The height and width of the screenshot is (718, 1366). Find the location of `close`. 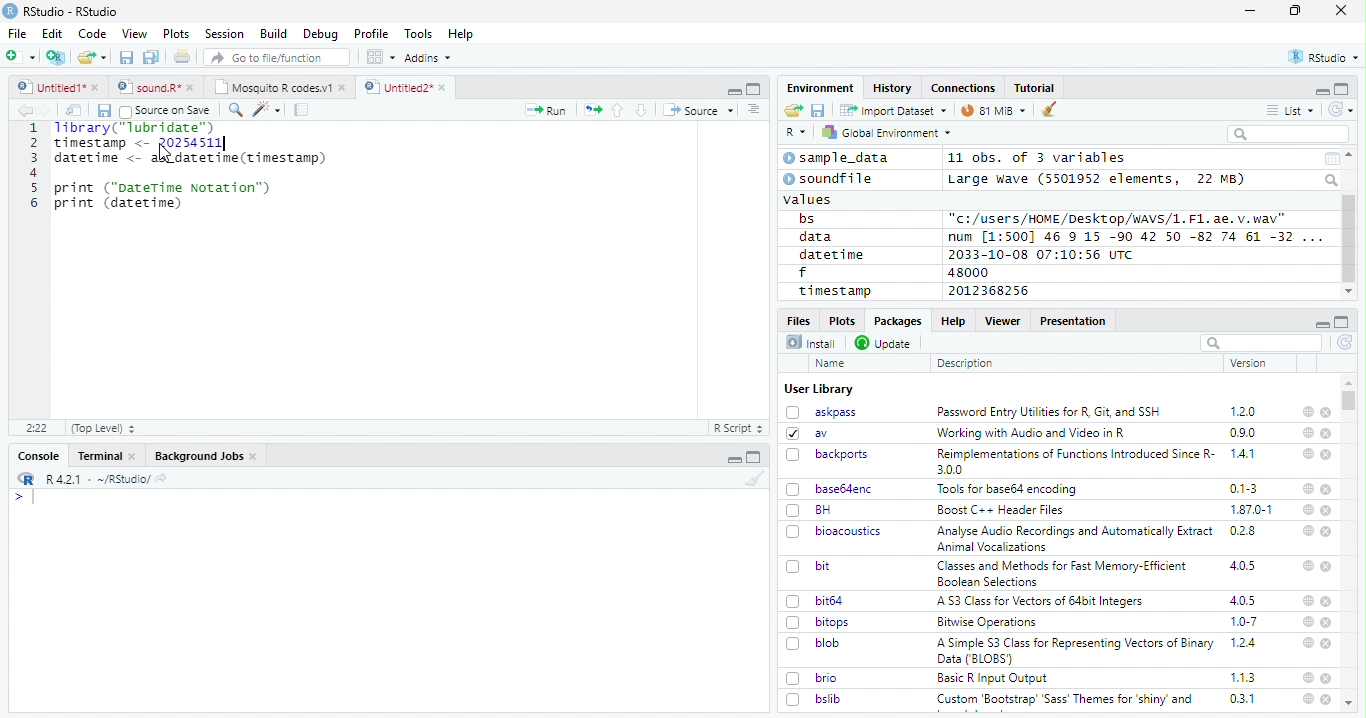

close is located at coordinates (1327, 455).